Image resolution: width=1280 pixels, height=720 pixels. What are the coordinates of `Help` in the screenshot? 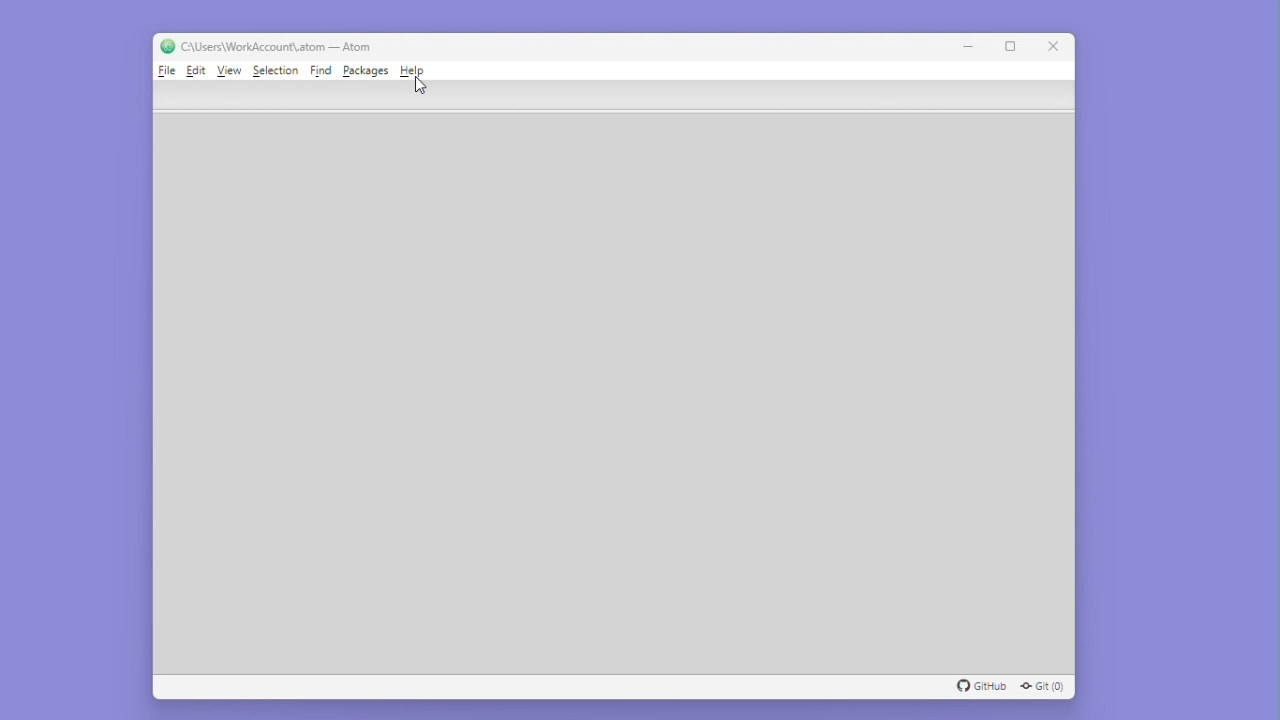 It's located at (418, 71).